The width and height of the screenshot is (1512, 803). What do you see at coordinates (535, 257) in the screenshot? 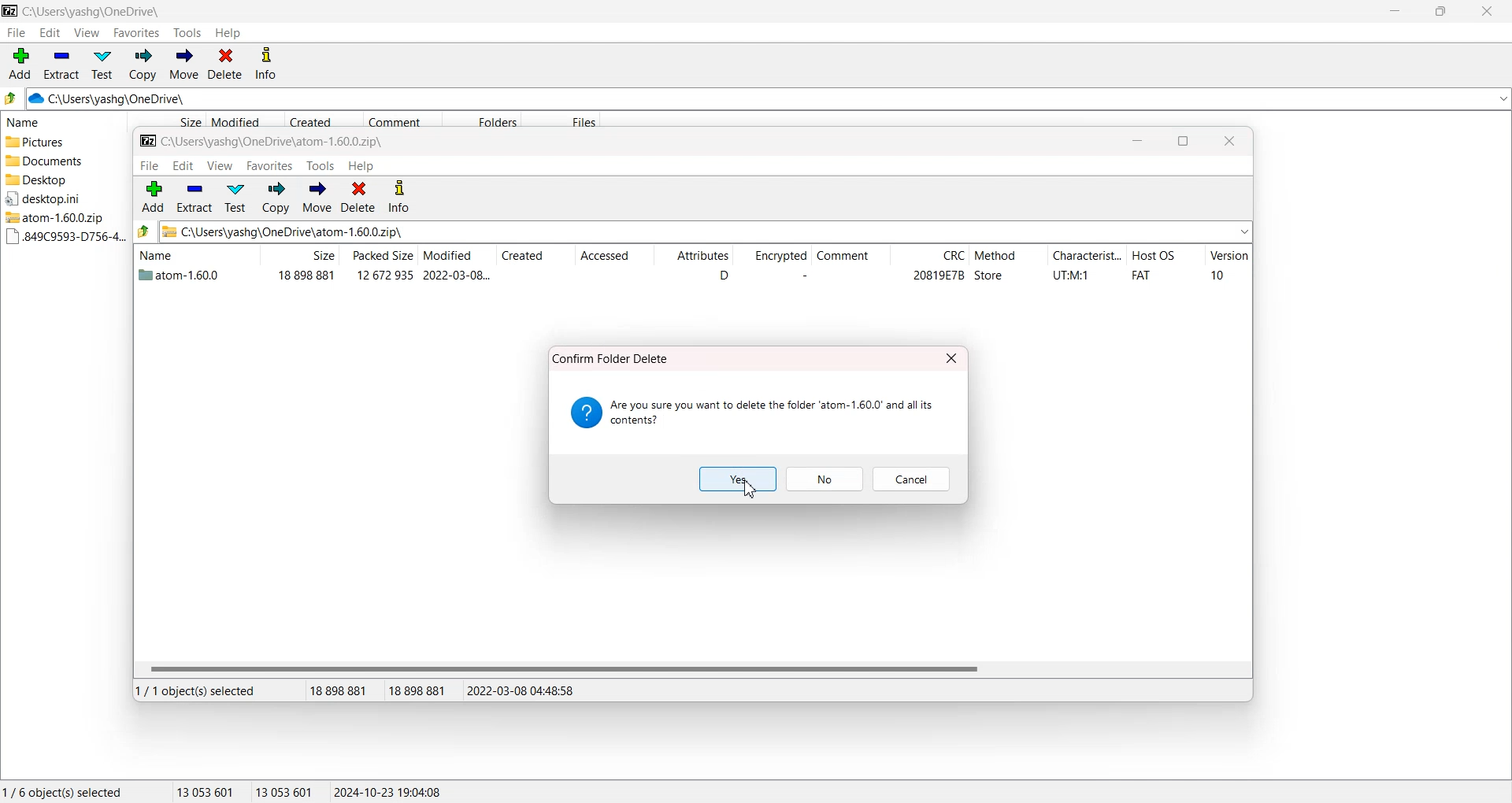
I see `Created` at bounding box center [535, 257].